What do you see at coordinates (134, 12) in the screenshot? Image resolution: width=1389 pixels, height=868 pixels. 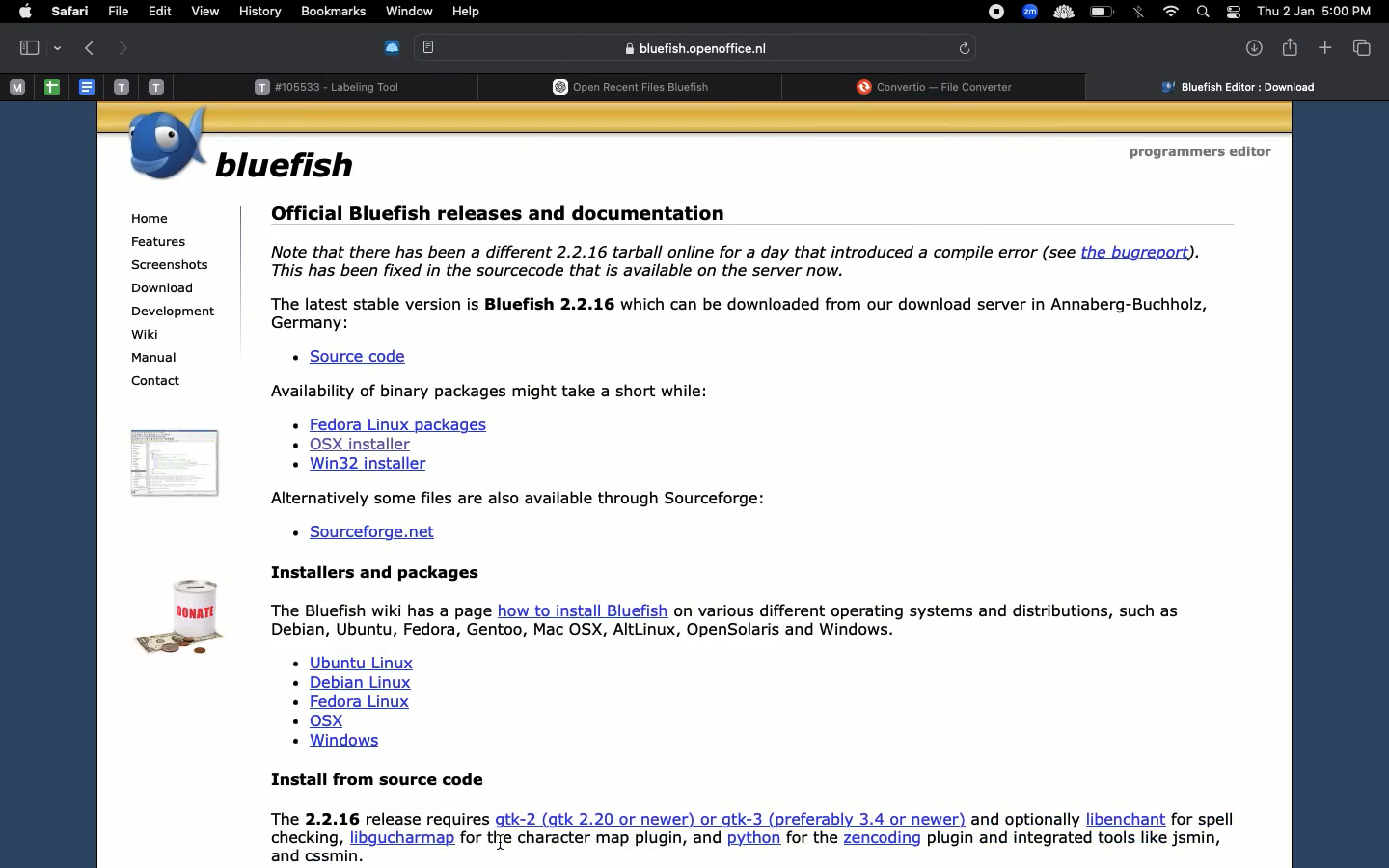 I see `file` at bounding box center [134, 12].